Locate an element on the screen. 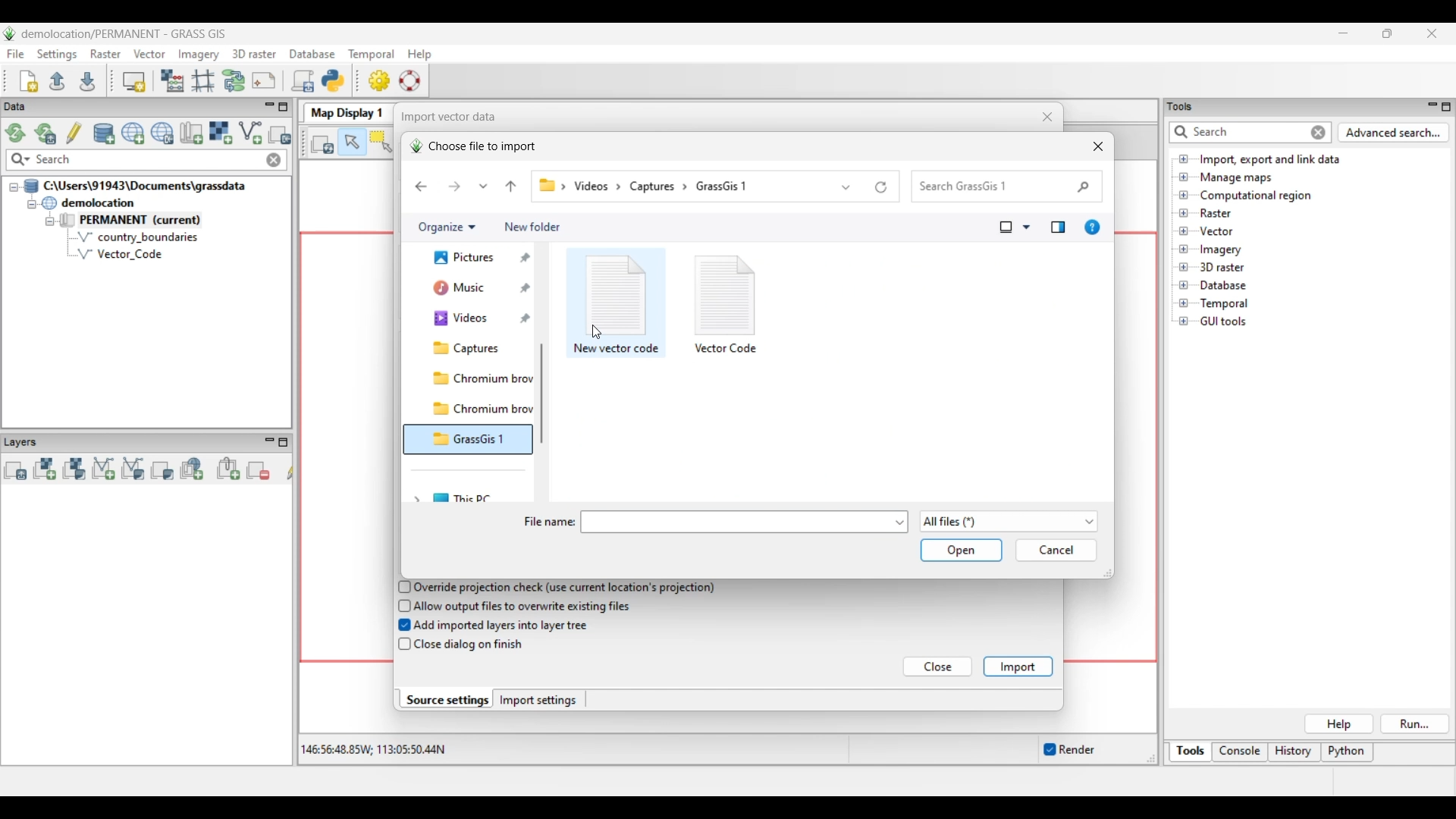 The image size is (1456, 819). capture is located at coordinates (657, 186).